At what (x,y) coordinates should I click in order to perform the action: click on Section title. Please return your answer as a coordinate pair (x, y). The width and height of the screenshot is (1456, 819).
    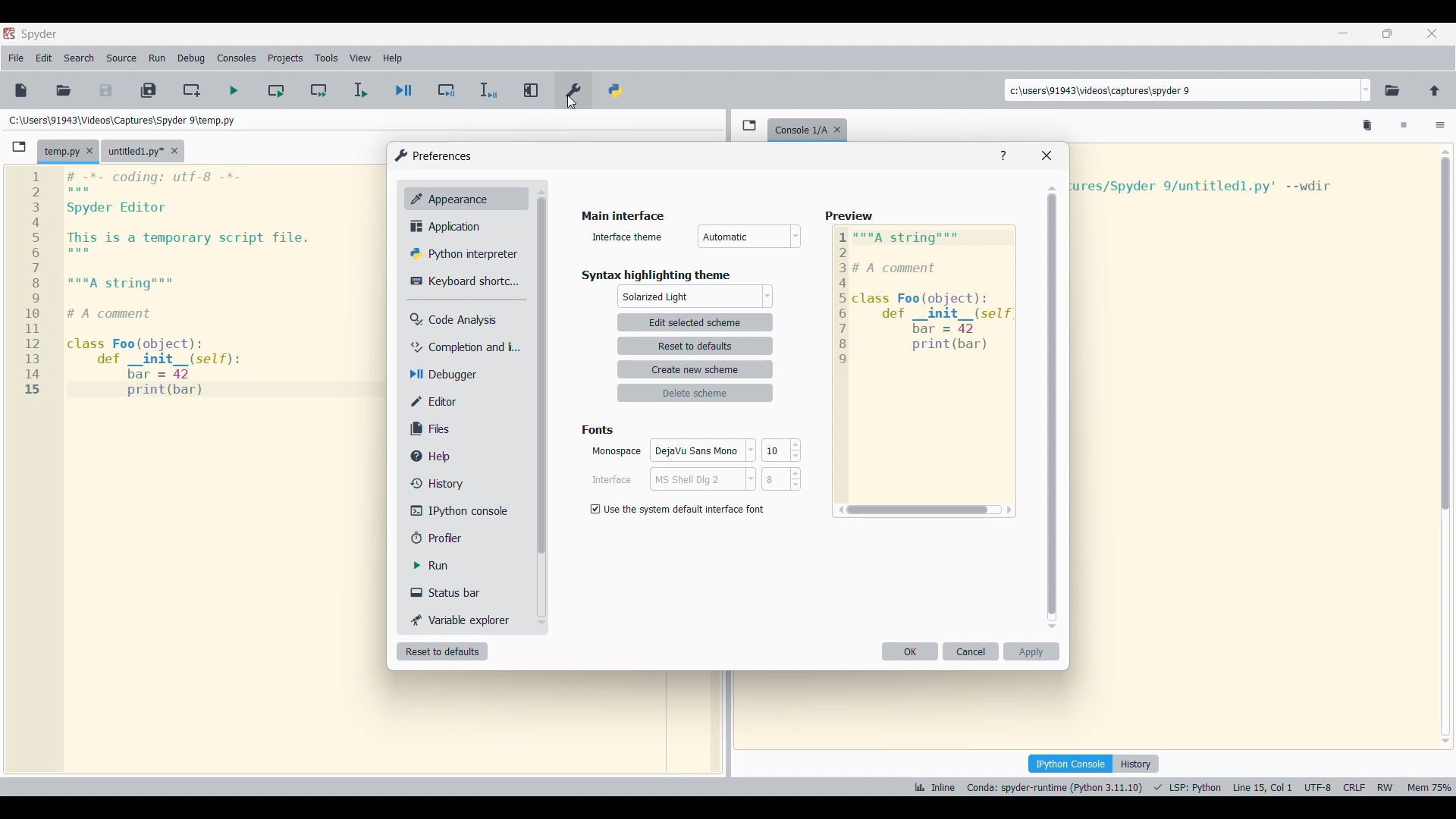
    Looking at the image, I should click on (625, 215).